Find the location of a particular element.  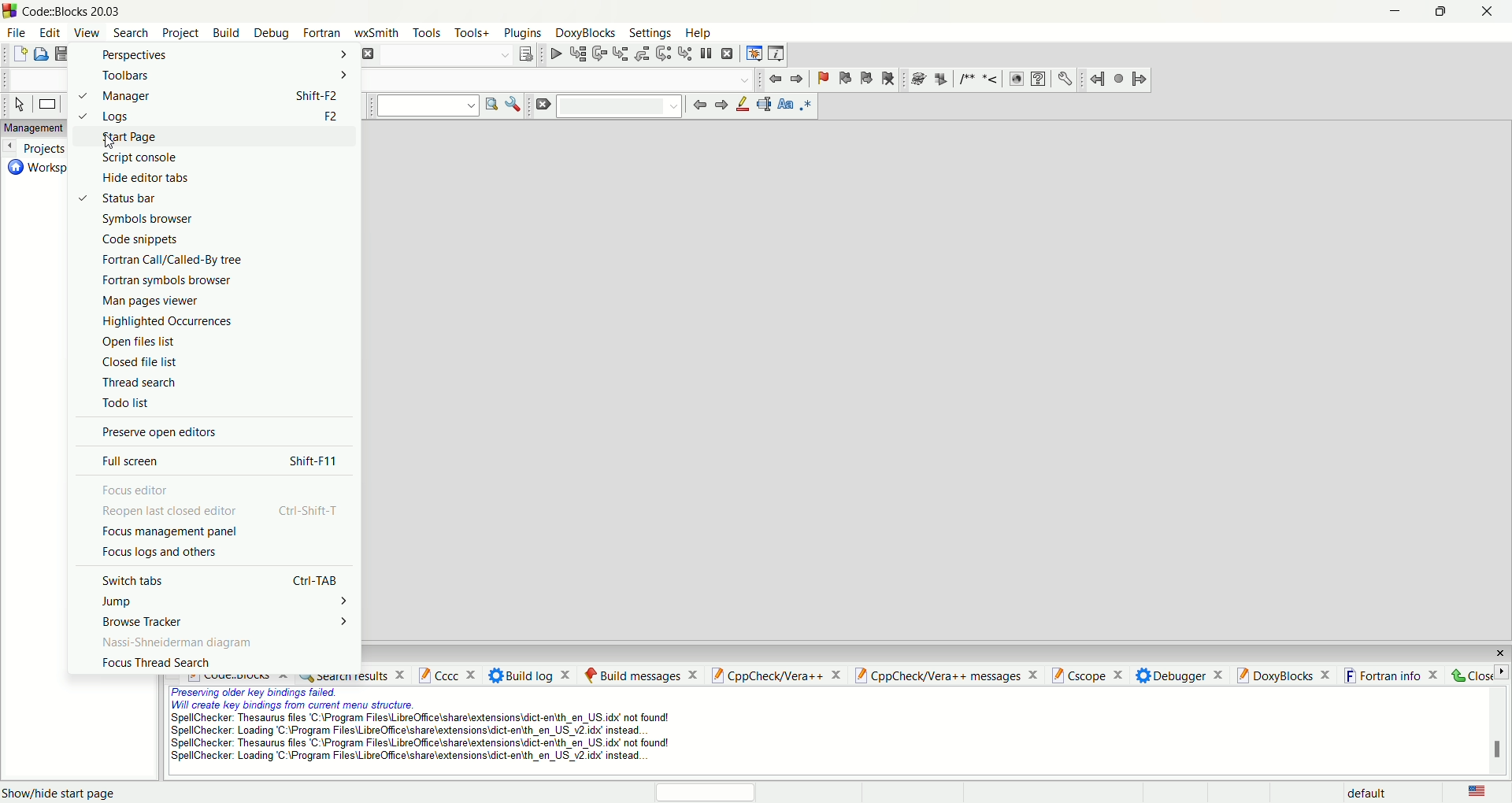

logs is located at coordinates (213, 117).